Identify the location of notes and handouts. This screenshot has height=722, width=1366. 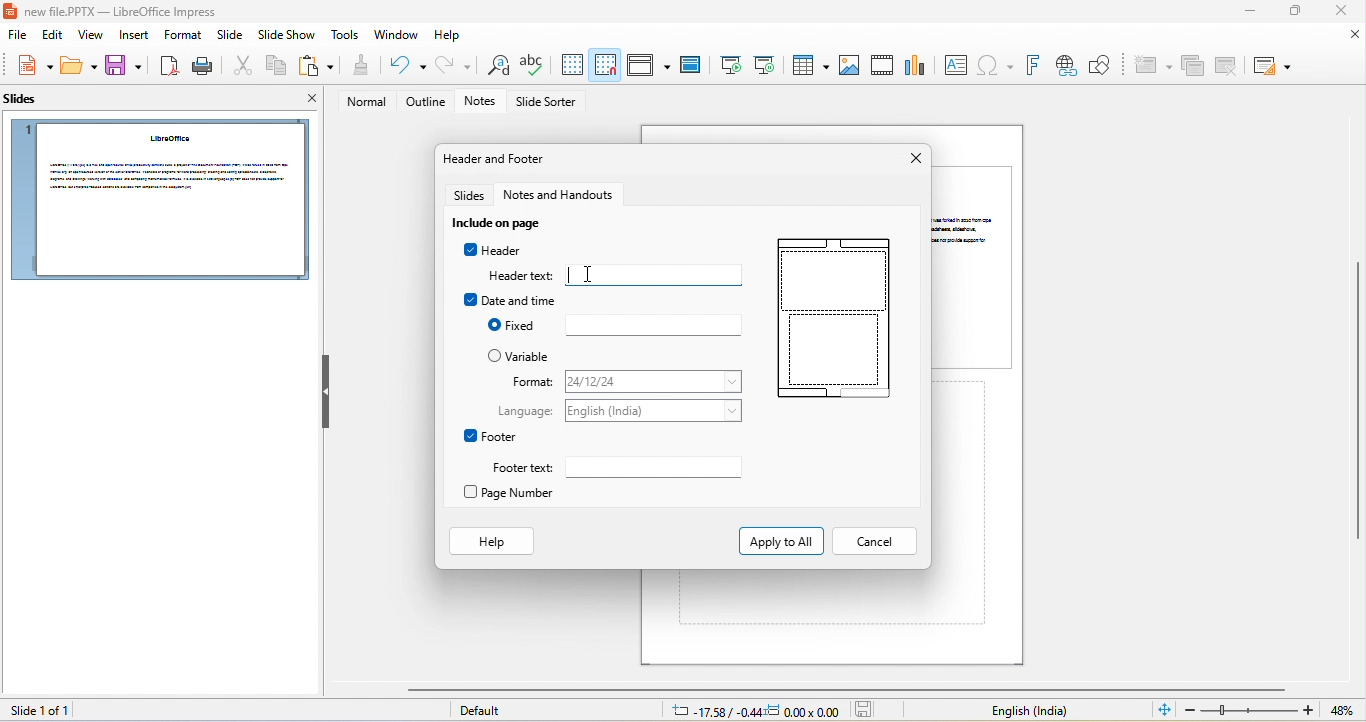
(567, 196).